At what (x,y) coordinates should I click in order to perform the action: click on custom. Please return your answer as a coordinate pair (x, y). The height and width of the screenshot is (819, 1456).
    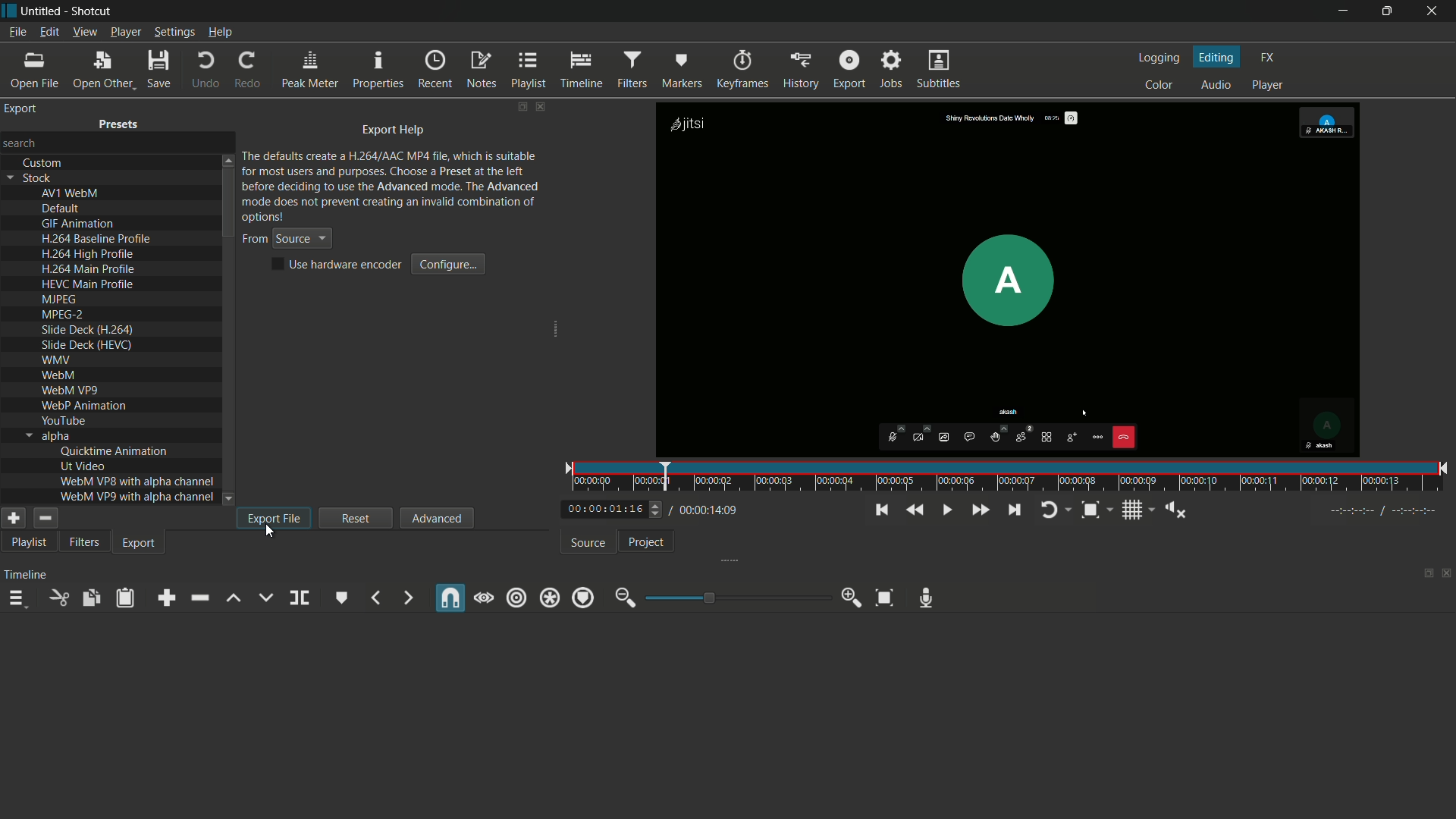
    Looking at the image, I should click on (45, 162).